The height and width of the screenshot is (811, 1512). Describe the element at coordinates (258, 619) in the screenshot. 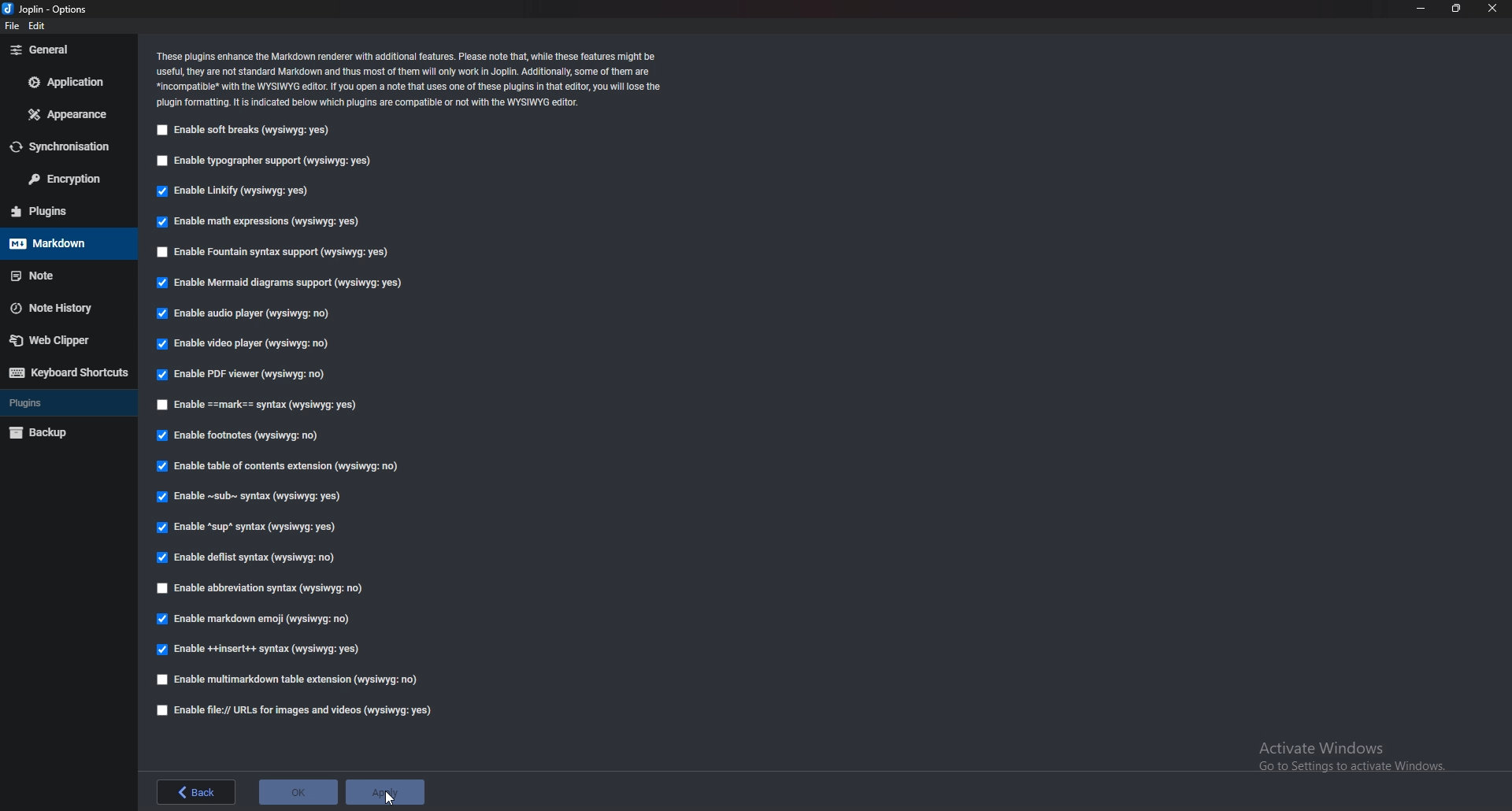

I see `enable markdown emoji` at that location.